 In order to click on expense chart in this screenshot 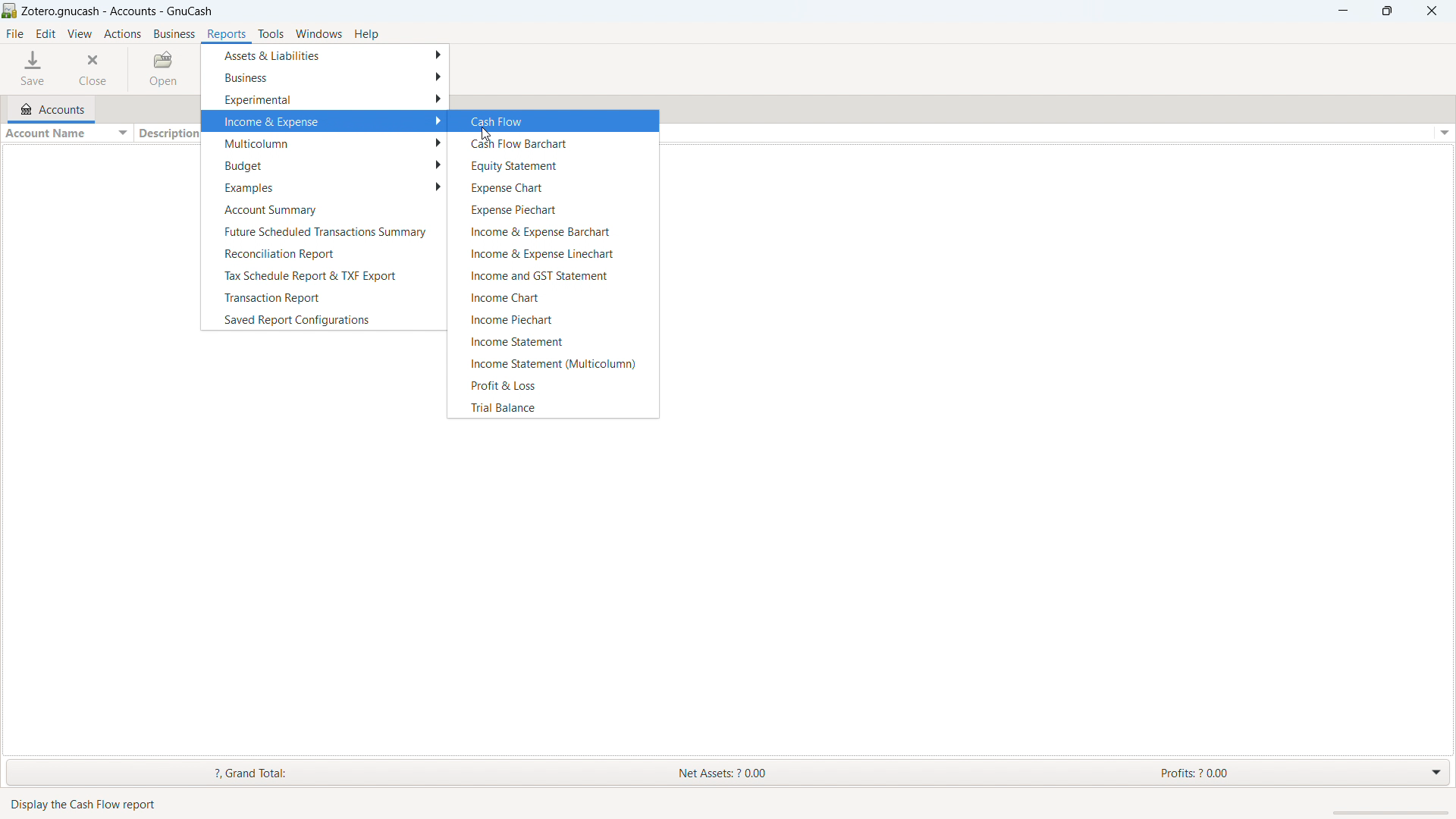, I will do `click(554, 186)`.